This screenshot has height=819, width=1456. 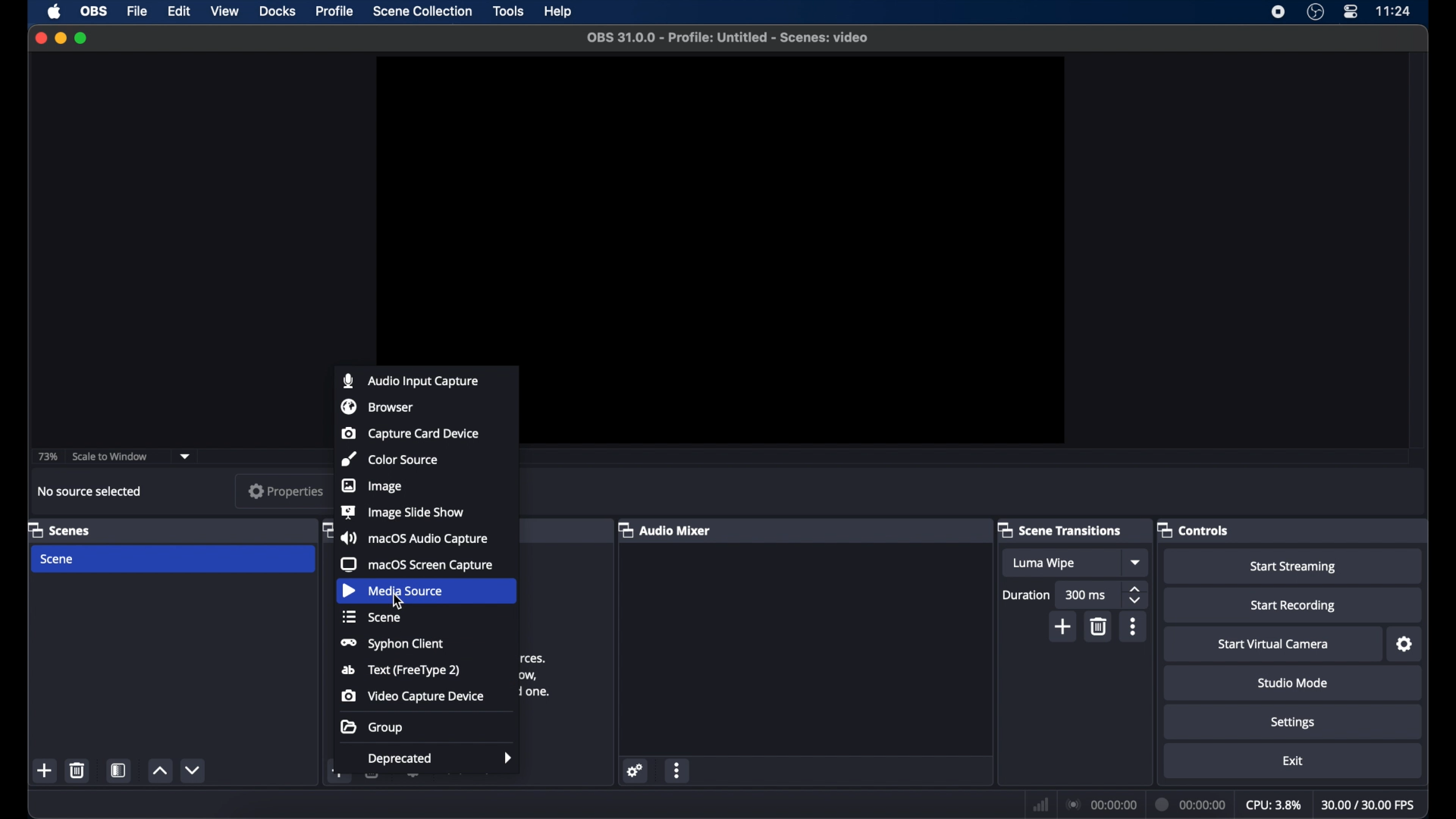 I want to click on capture card device, so click(x=410, y=433).